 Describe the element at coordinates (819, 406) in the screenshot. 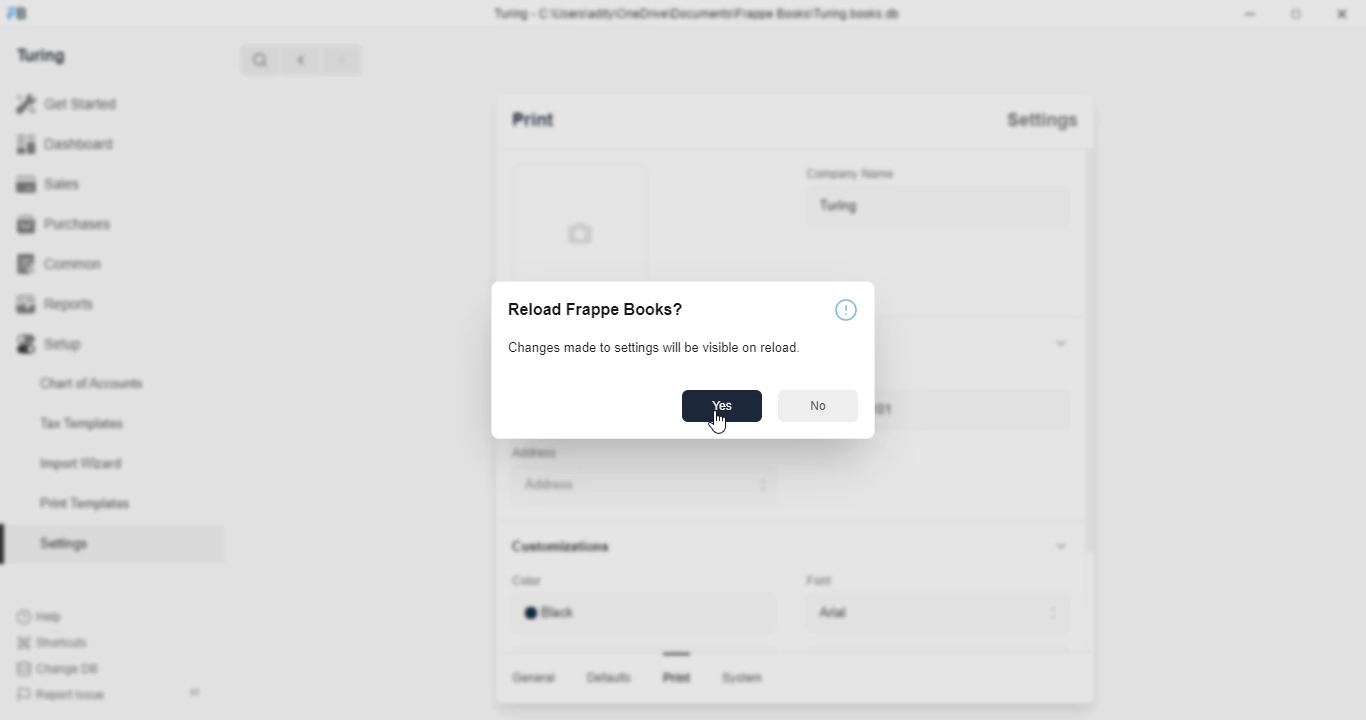

I see `No` at that location.